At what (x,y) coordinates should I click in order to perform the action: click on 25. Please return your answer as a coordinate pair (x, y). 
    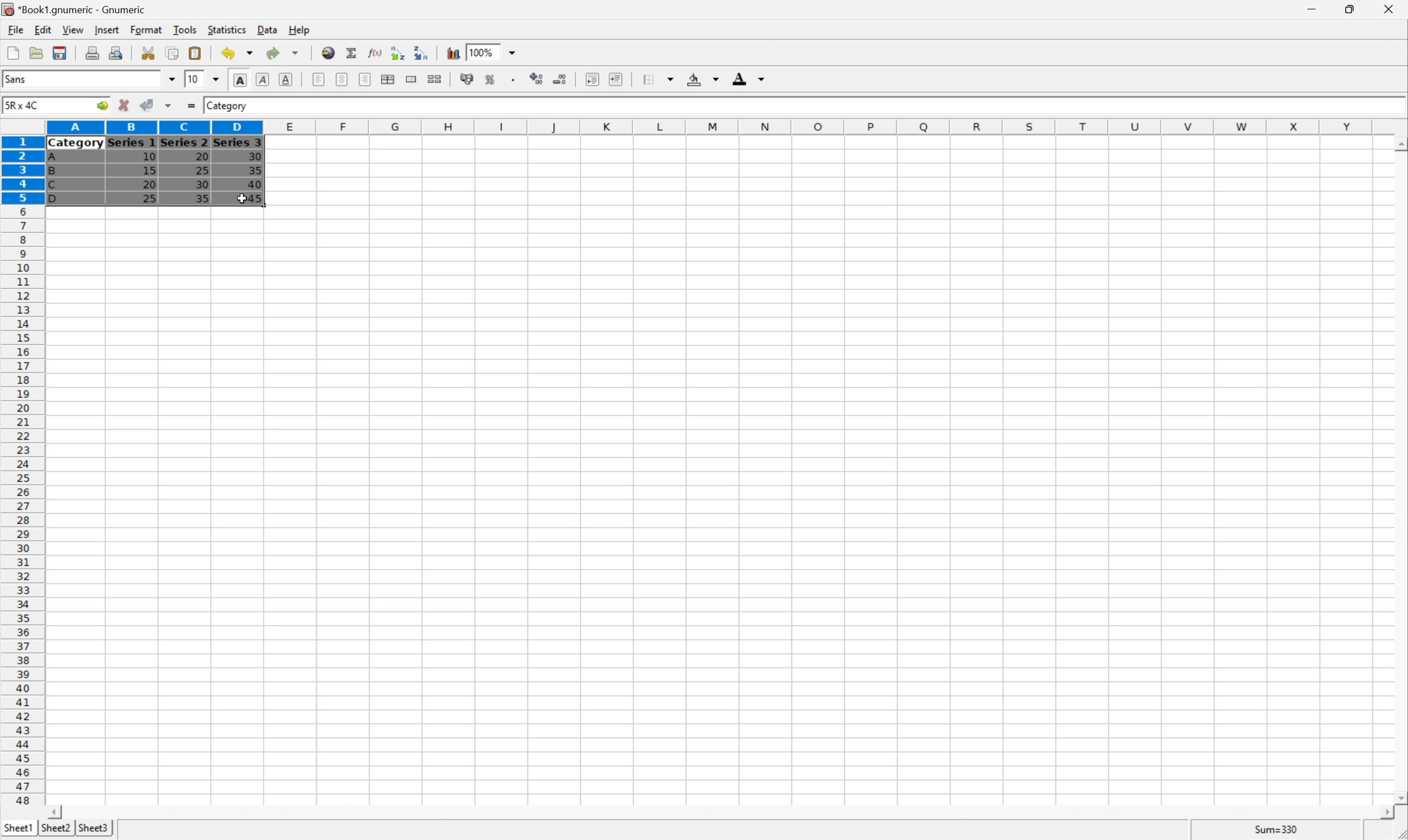
    Looking at the image, I should click on (203, 170).